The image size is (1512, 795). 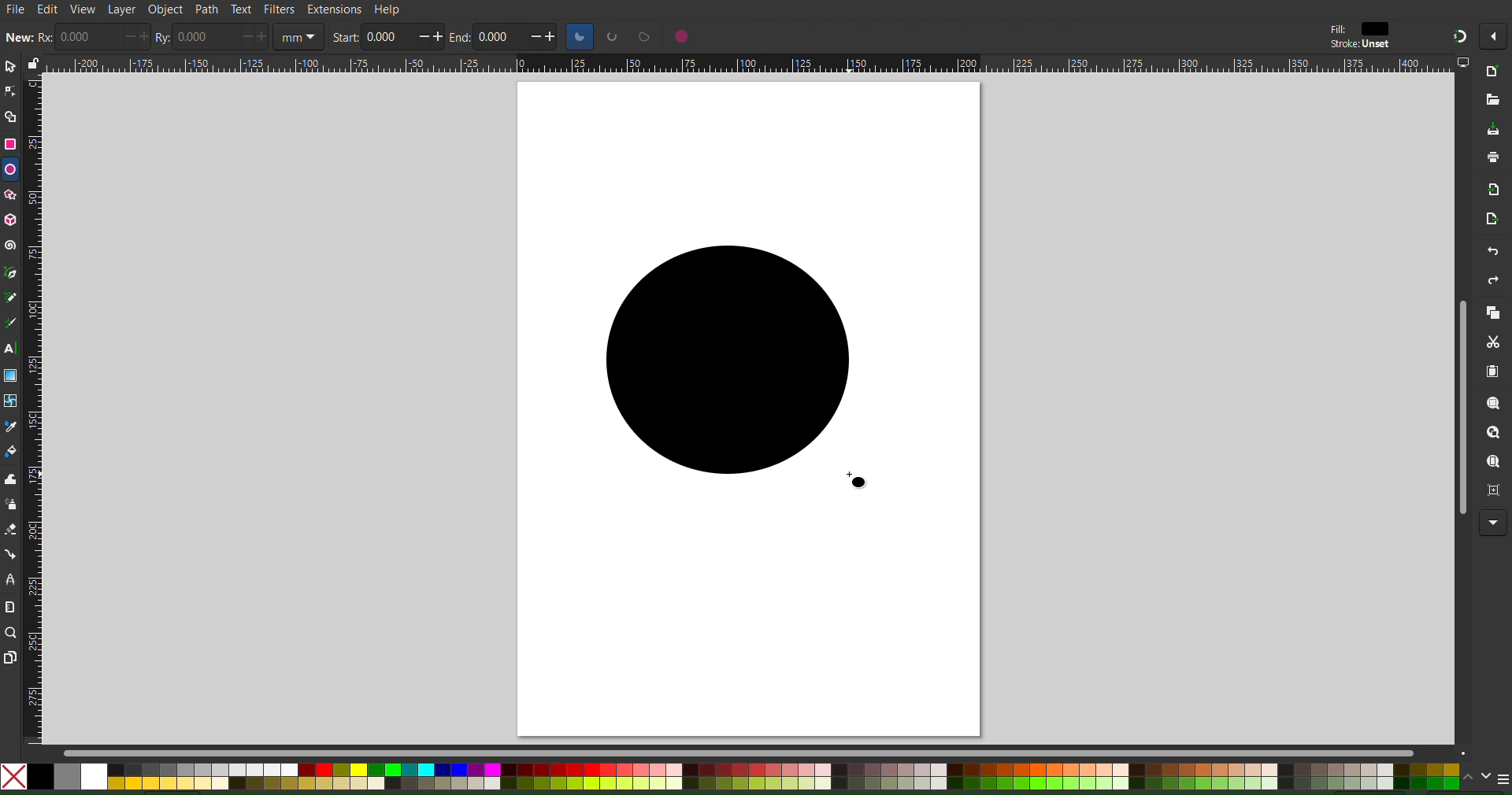 I want to click on Undo, so click(x=1492, y=249).